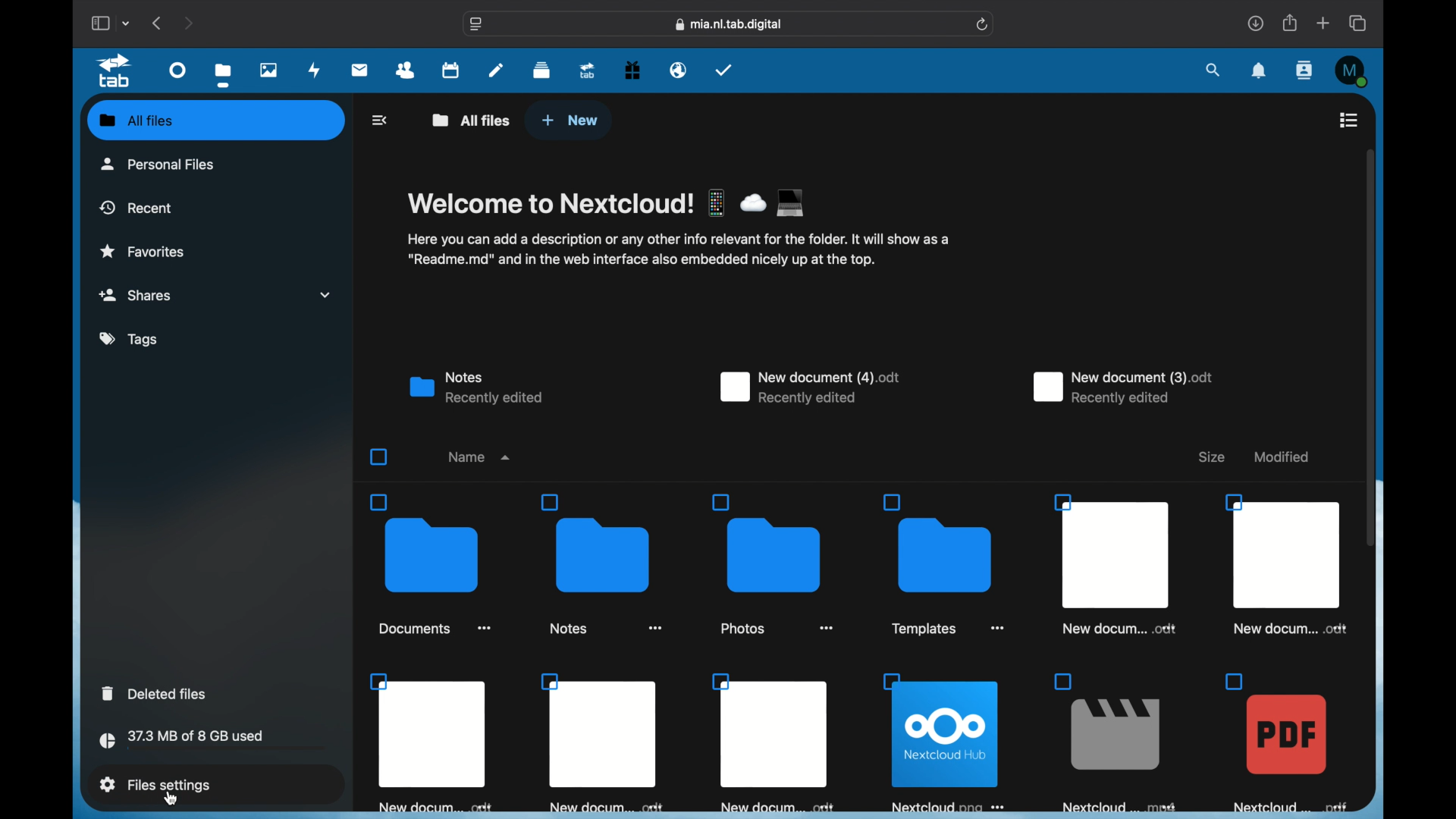  What do you see at coordinates (177, 71) in the screenshot?
I see `dashboard` at bounding box center [177, 71].